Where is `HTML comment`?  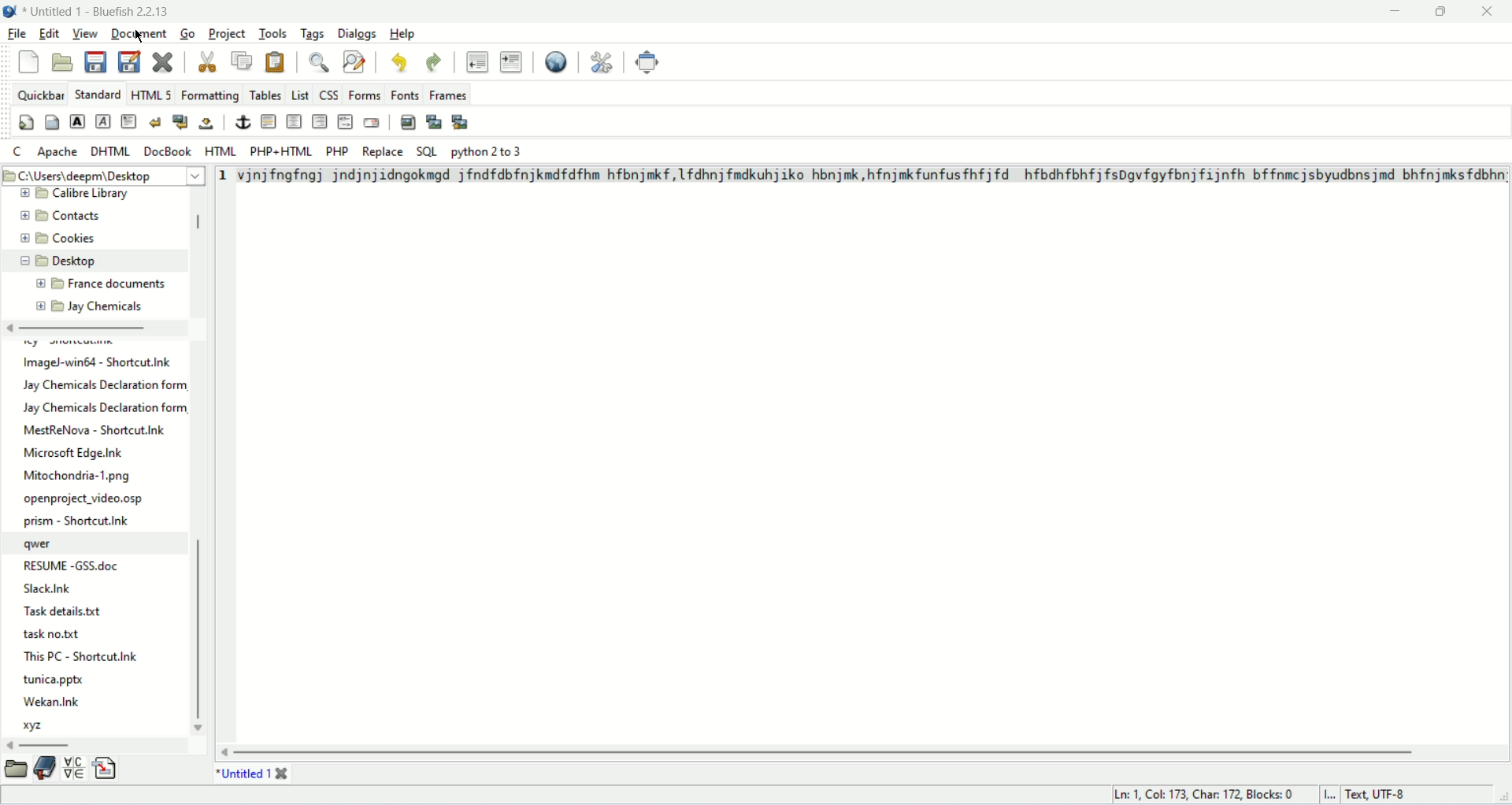 HTML comment is located at coordinates (346, 121).